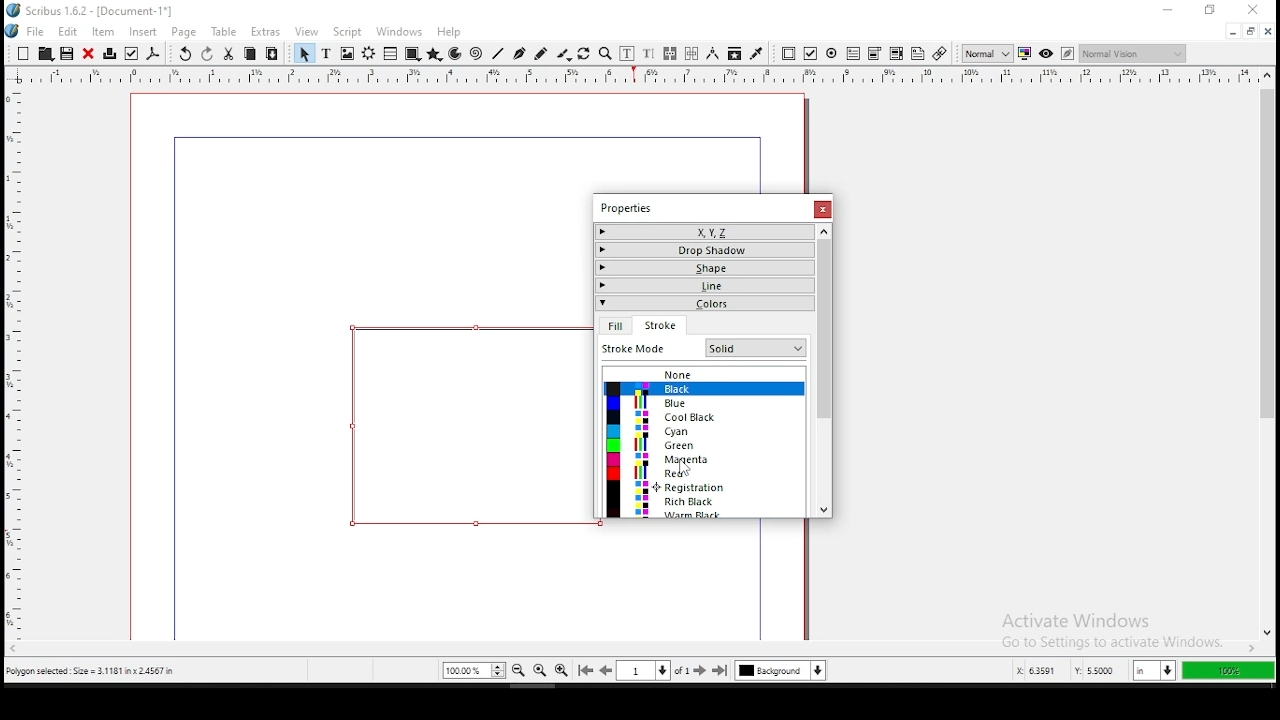 This screenshot has width=1280, height=720. I want to click on save, so click(66, 53).